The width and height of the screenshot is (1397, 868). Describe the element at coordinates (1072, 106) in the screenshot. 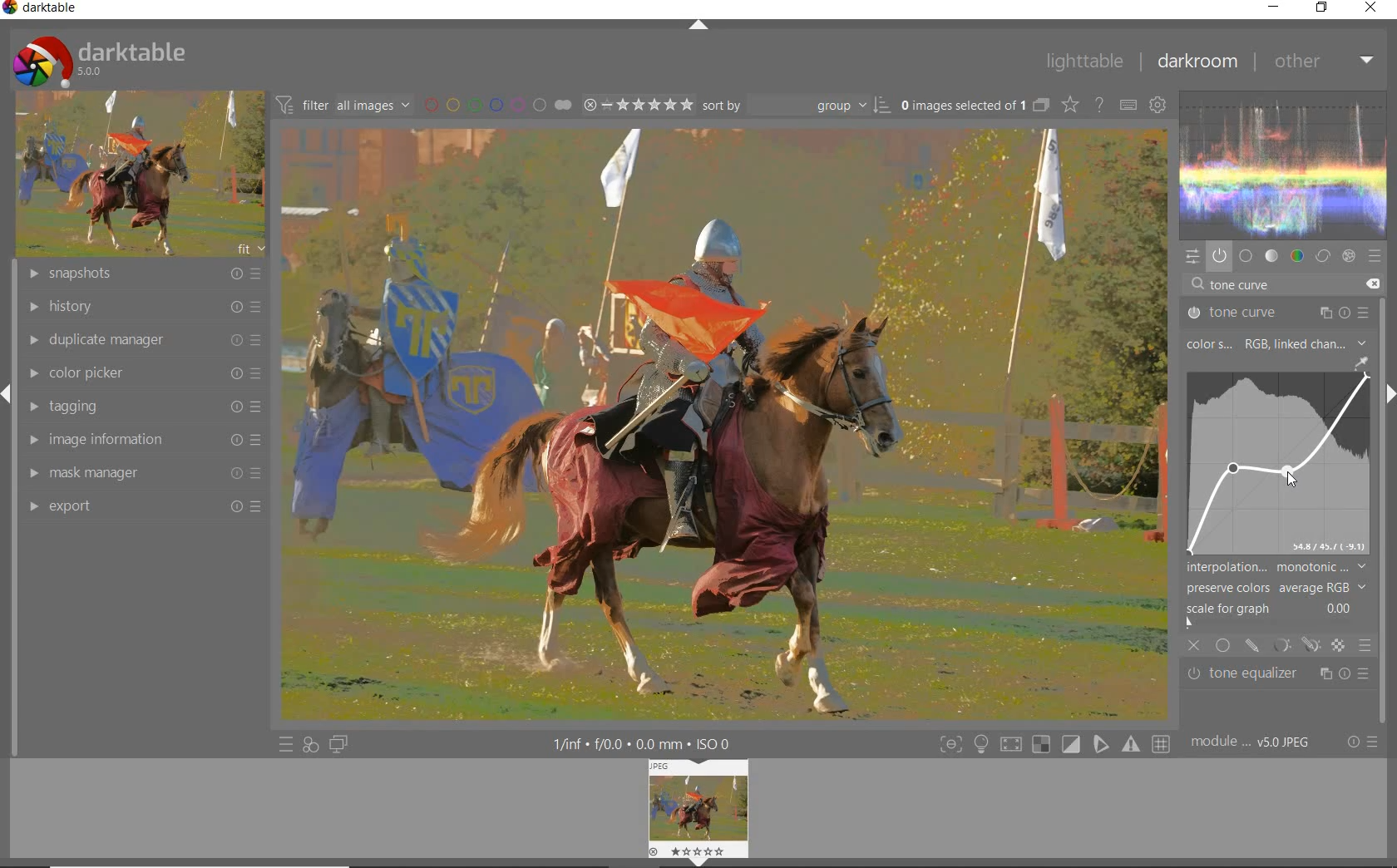

I see `change type of overlays` at that location.